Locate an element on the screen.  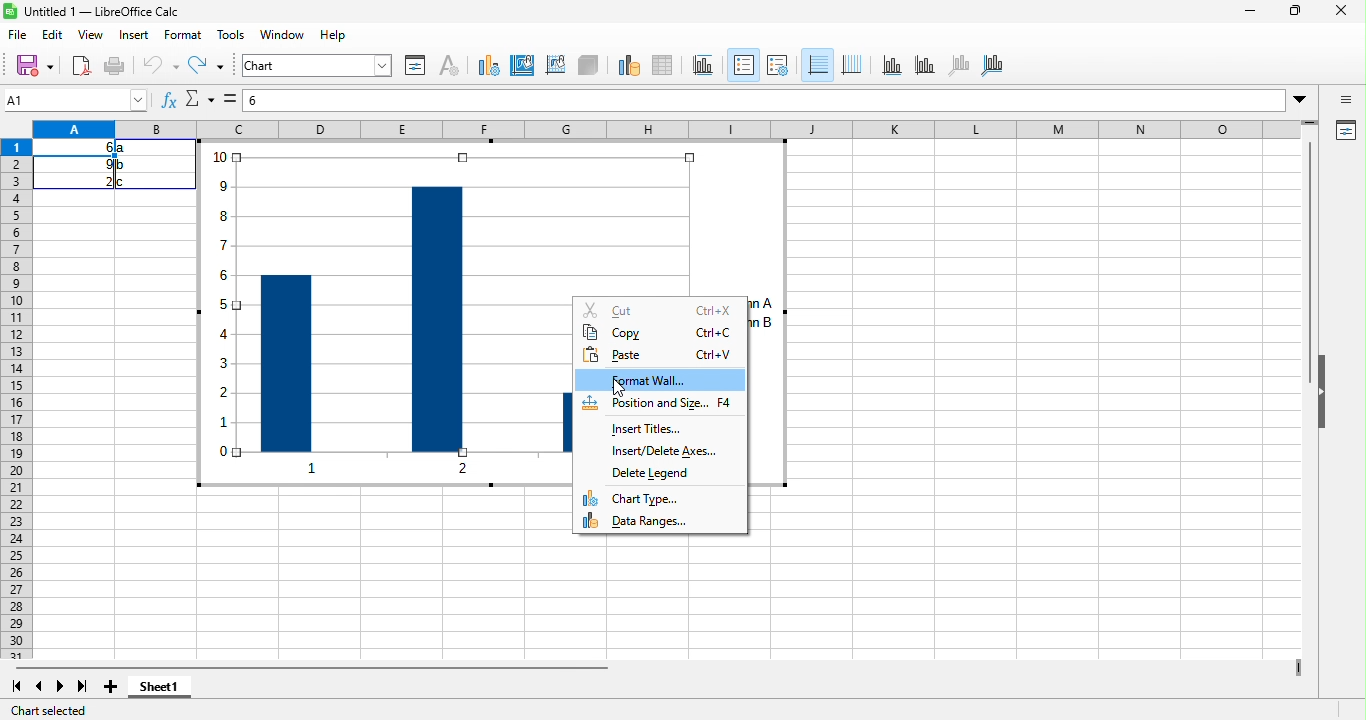
6 is located at coordinates (99, 147).